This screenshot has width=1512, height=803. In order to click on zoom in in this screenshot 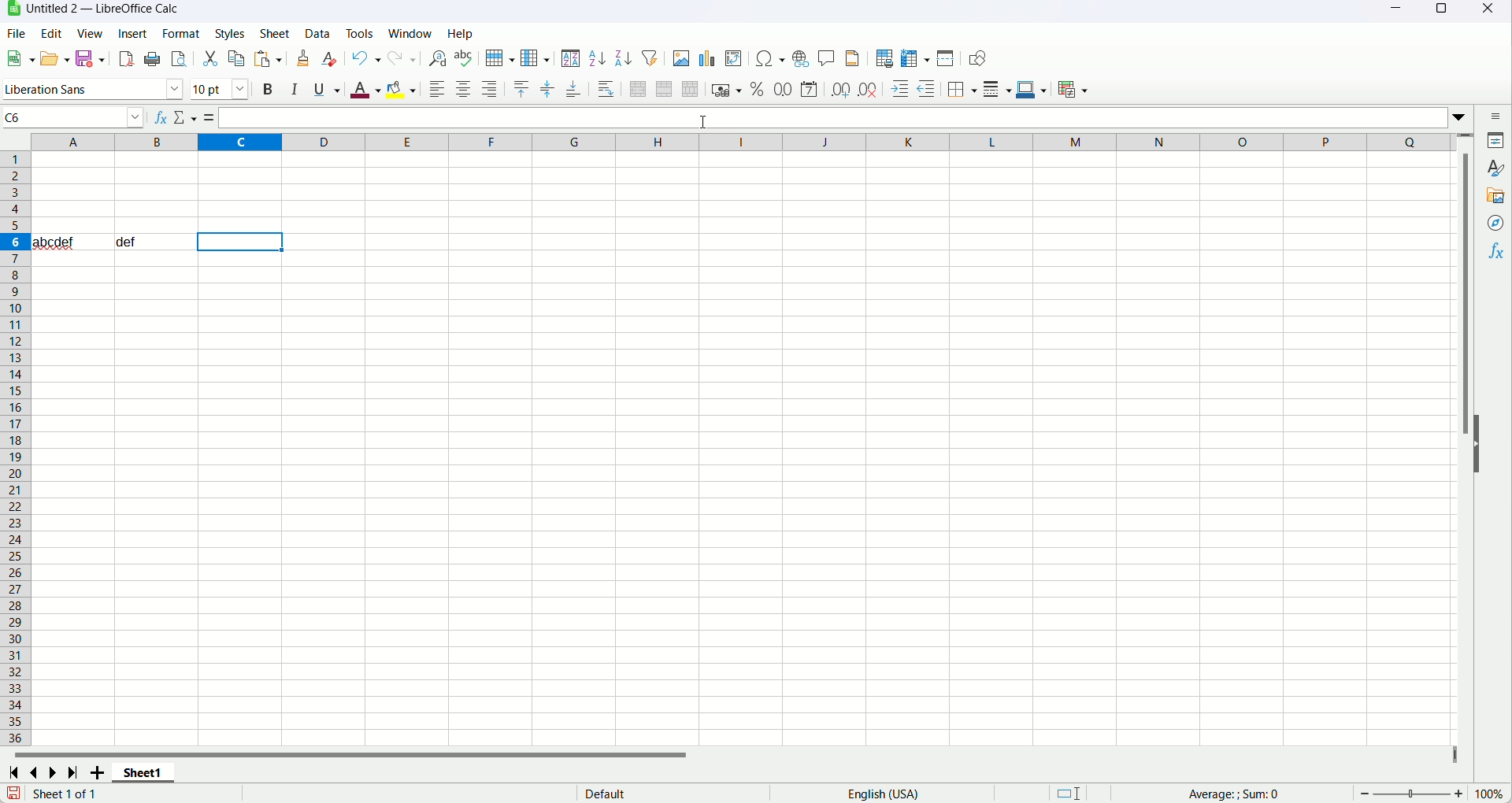, I will do `click(1458, 794)`.